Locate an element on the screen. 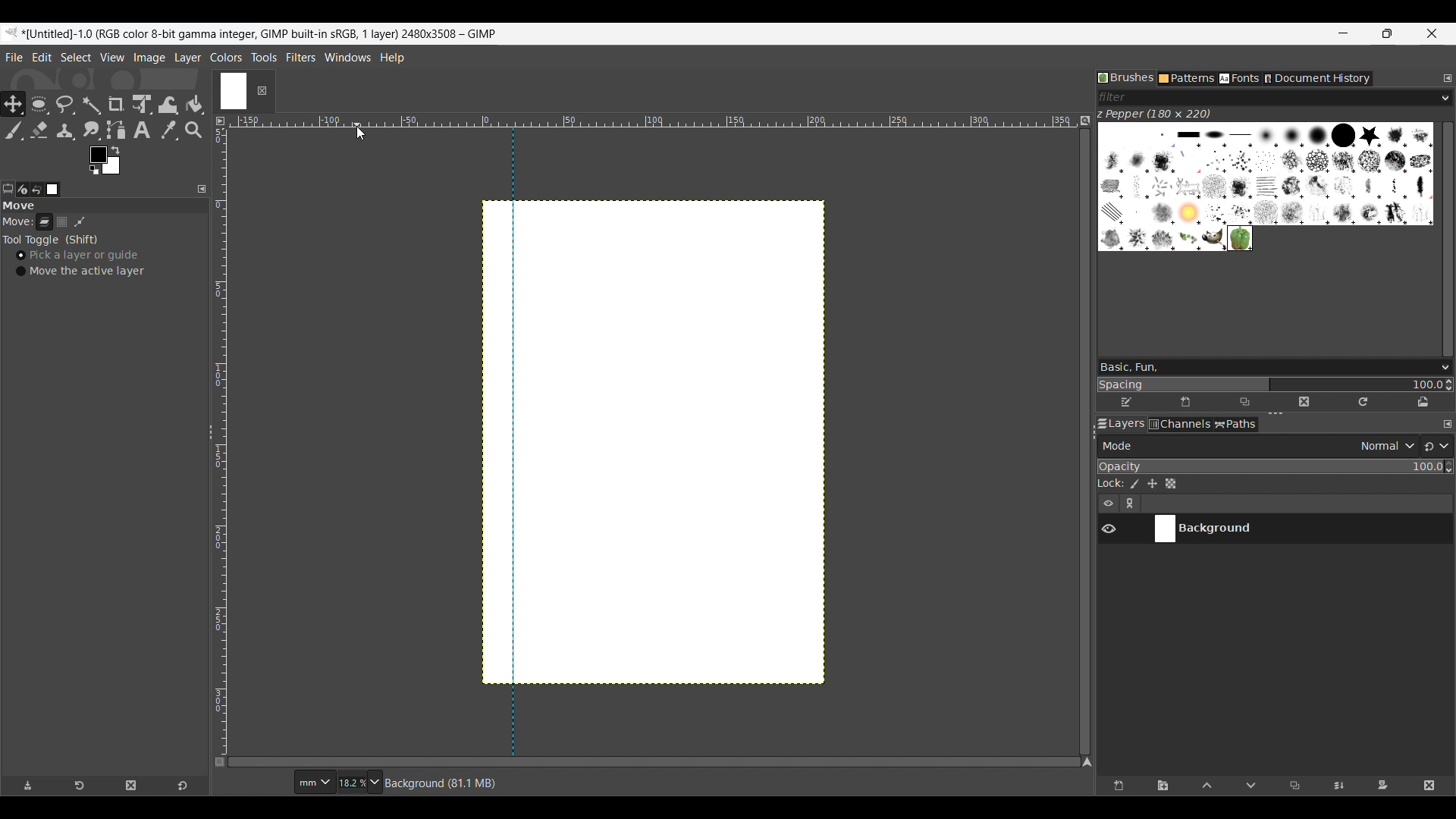 The width and height of the screenshot is (1456, 819). Canvas space is located at coordinates (760, 441).